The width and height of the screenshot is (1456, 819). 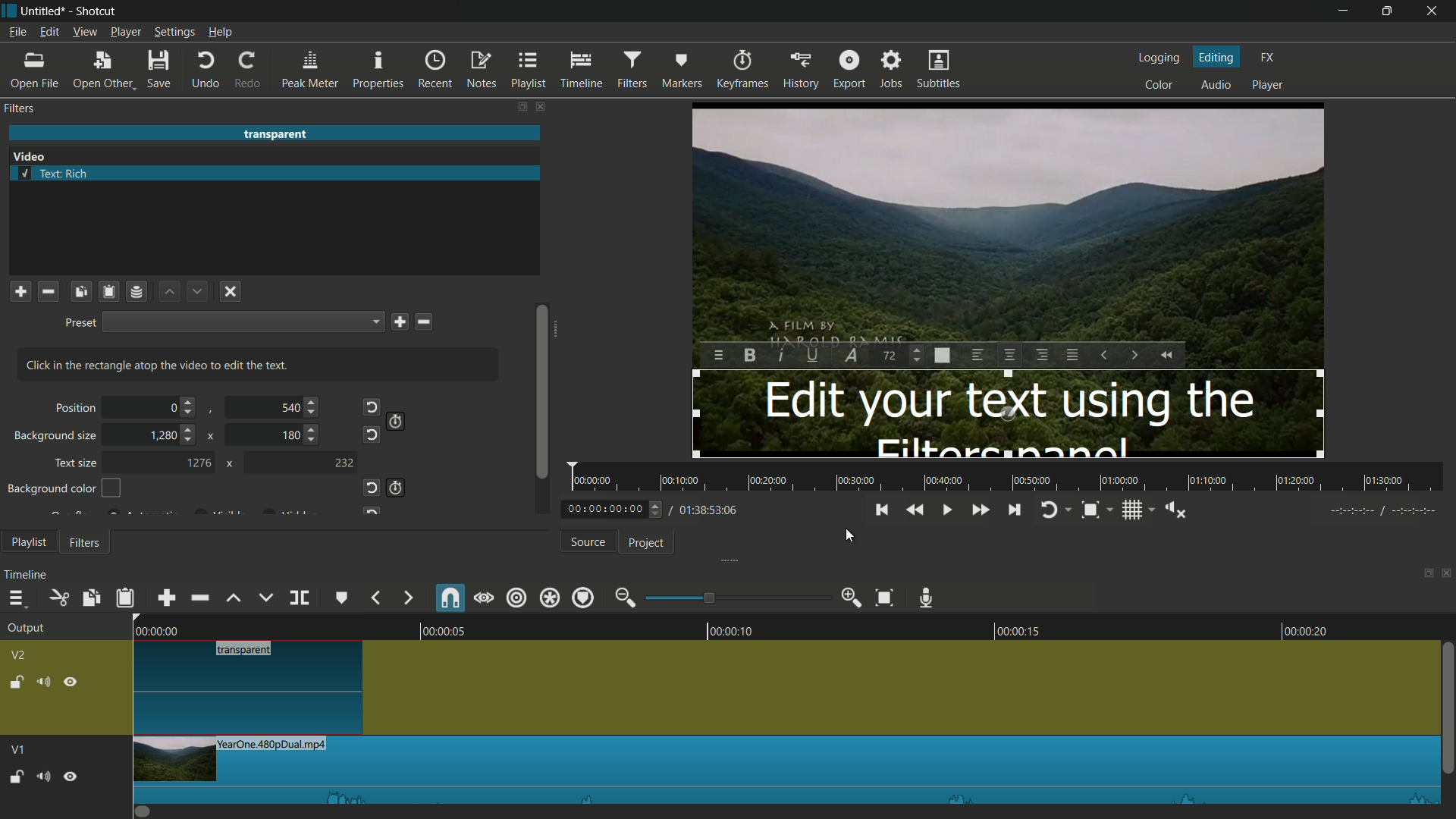 What do you see at coordinates (648, 543) in the screenshot?
I see `Project` at bounding box center [648, 543].